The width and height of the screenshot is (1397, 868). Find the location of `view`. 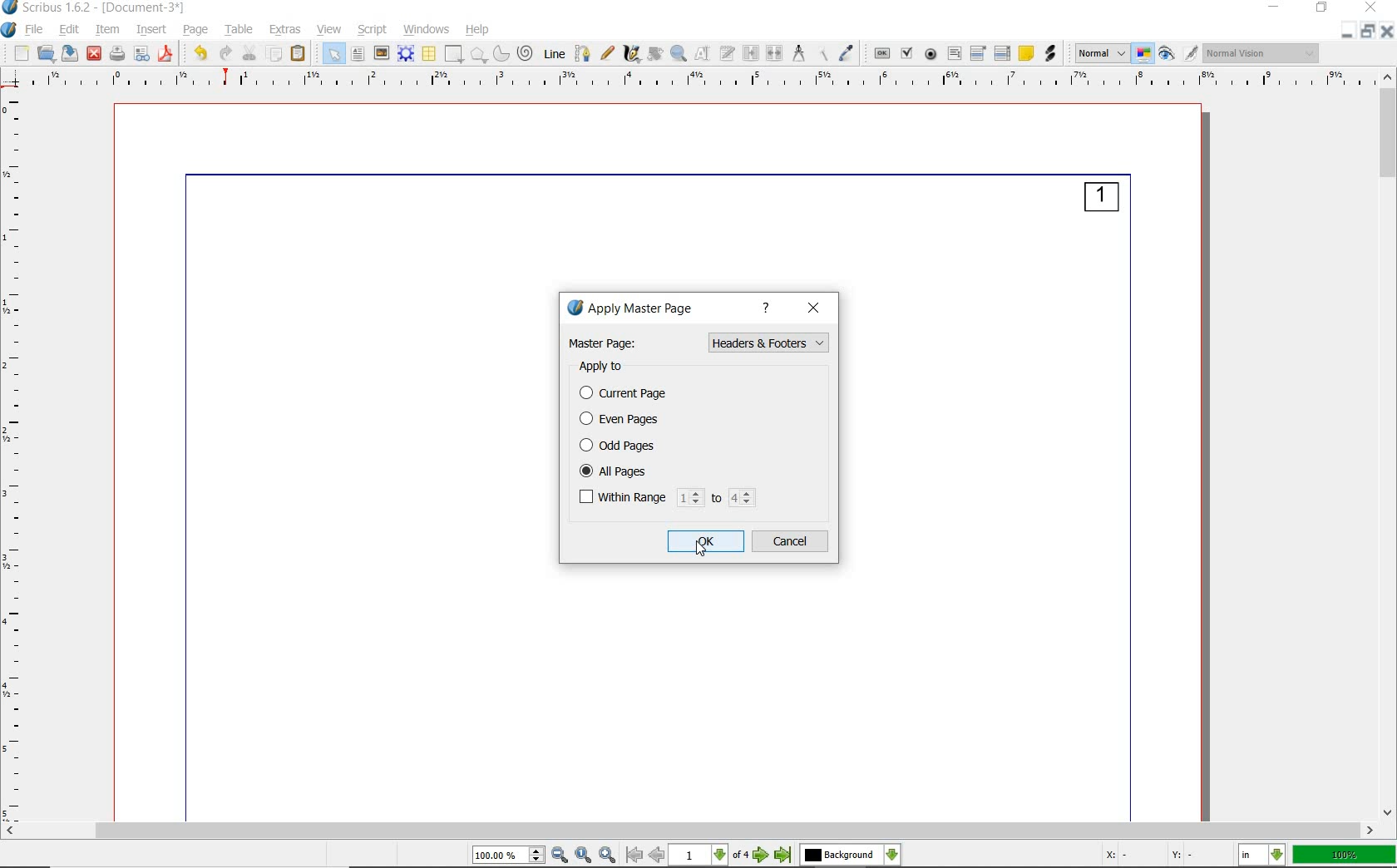

view is located at coordinates (329, 28).